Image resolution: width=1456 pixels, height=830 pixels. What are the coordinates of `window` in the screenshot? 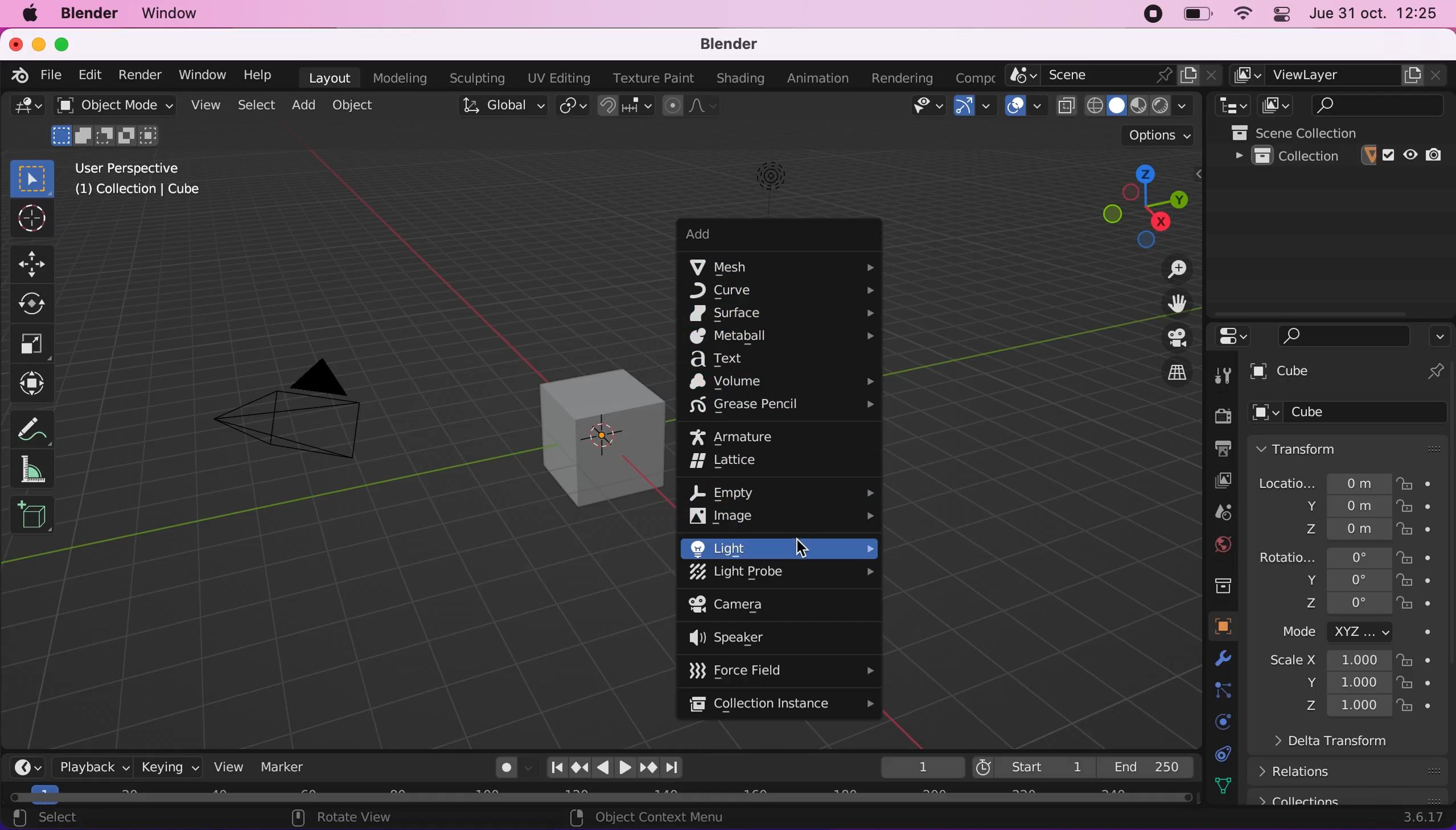 It's located at (177, 14).